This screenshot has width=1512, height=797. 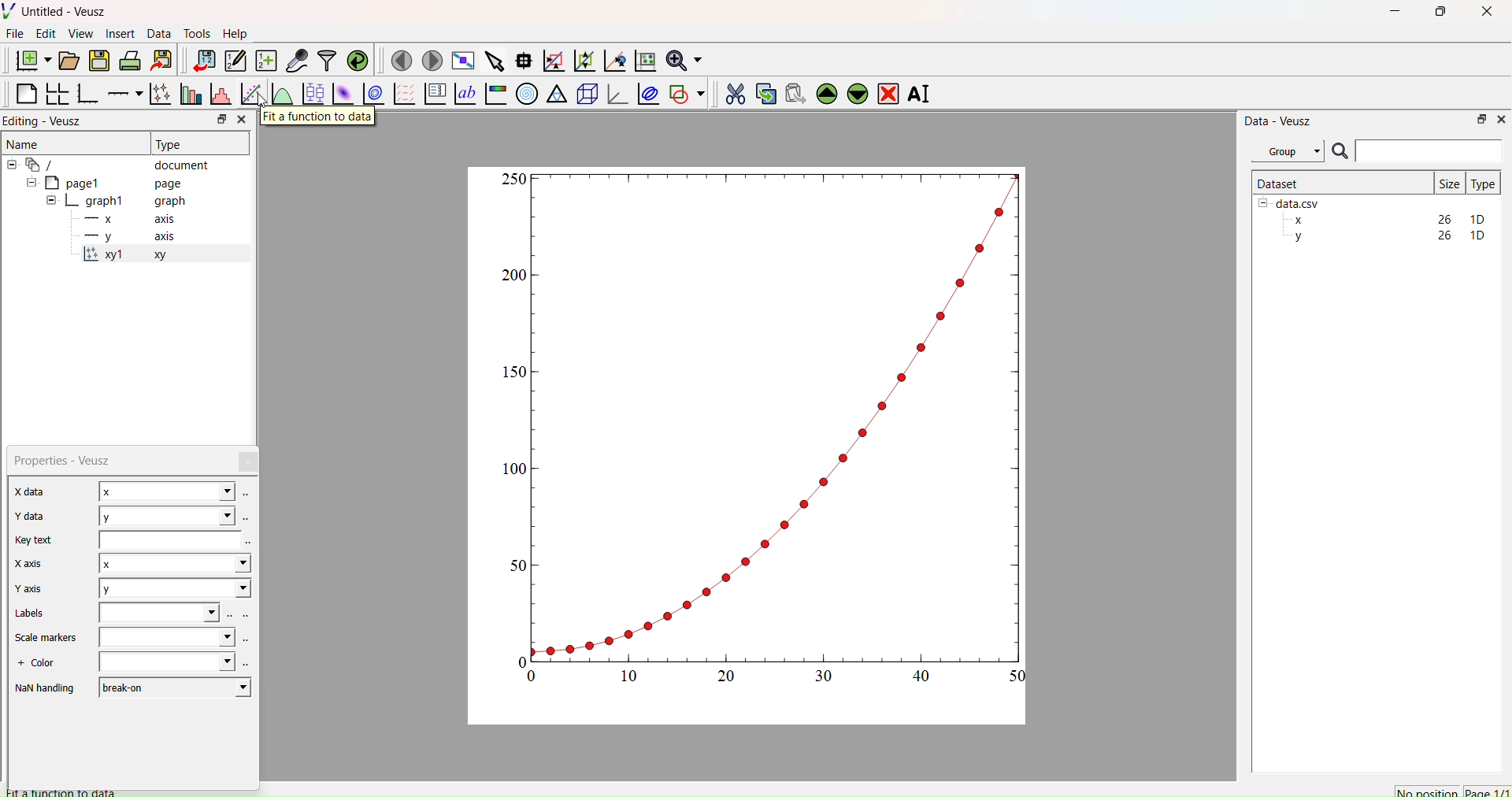 I want to click on x axis, so click(x=128, y=217).